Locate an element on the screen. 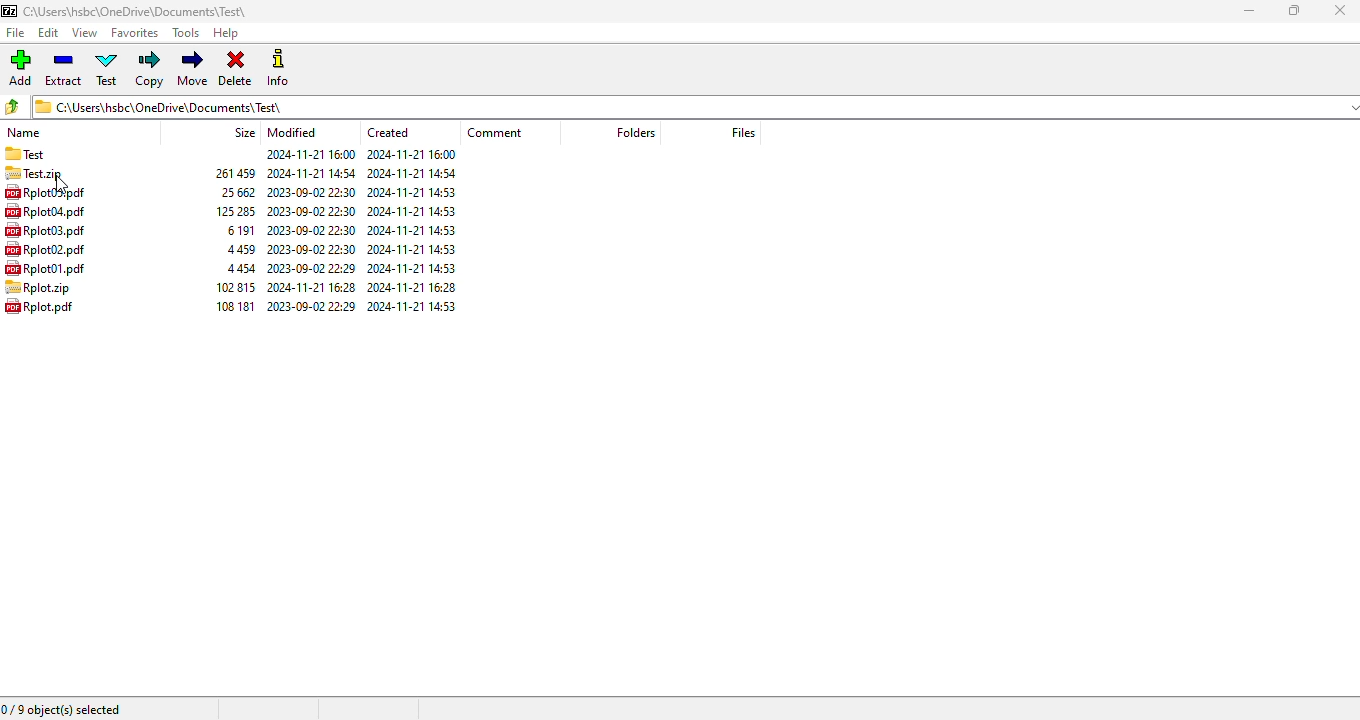 The width and height of the screenshot is (1360, 720). minimize is located at coordinates (1247, 11).